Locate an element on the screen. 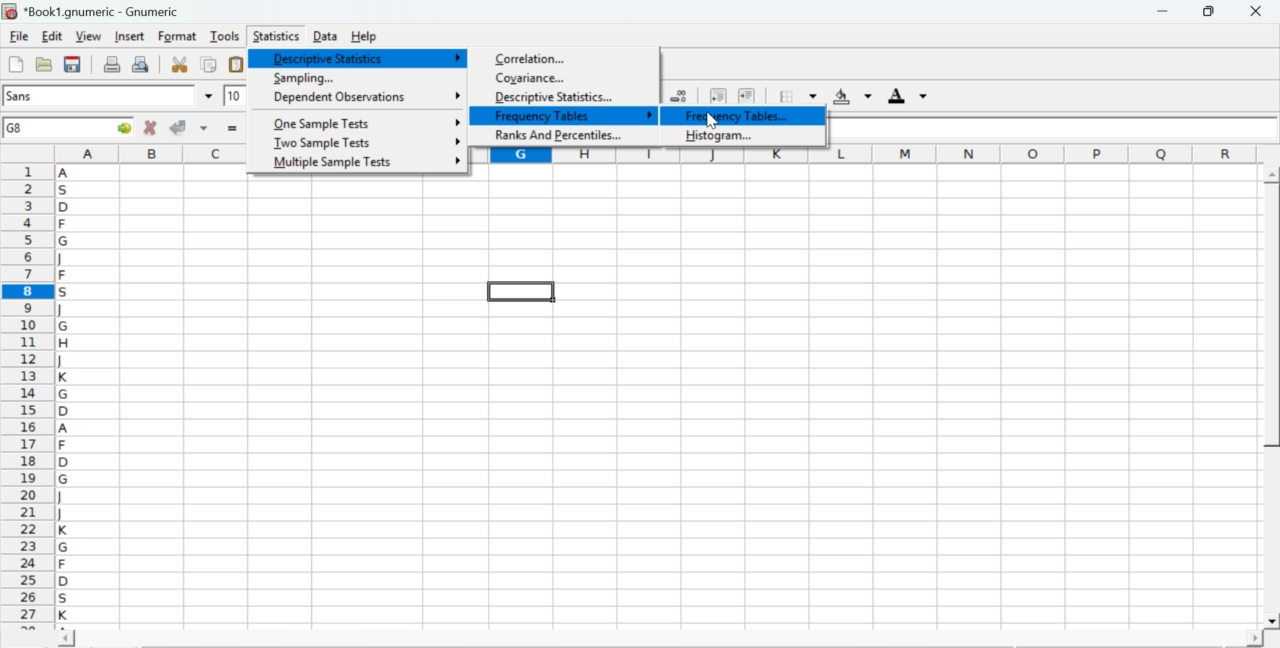  data is located at coordinates (327, 35).